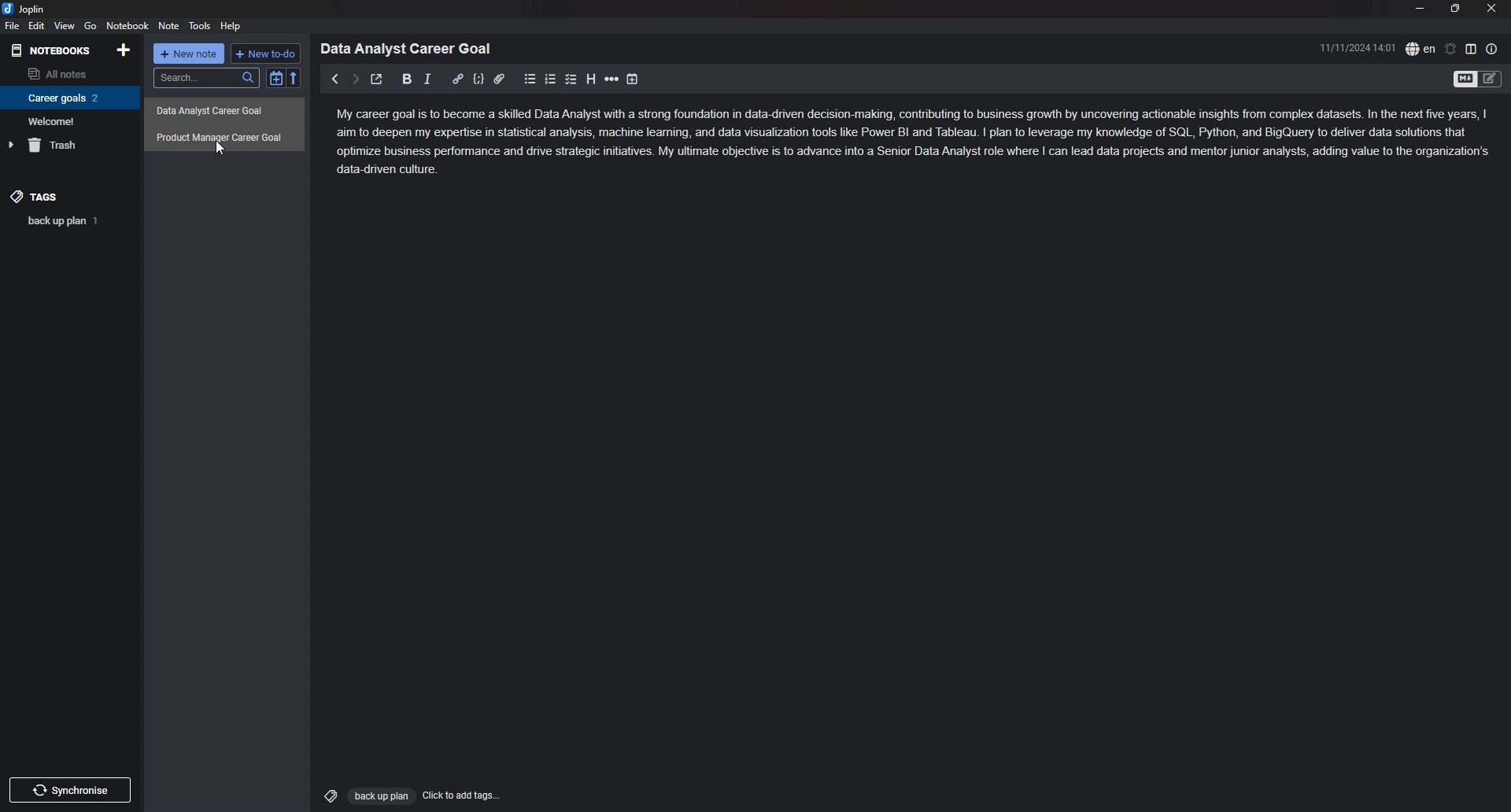 Image resolution: width=1511 pixels, height=812 pixels. What do you see at coordinates (220, 148) in the screenshot?
I see `cursor` at bounding box center [220, 148].